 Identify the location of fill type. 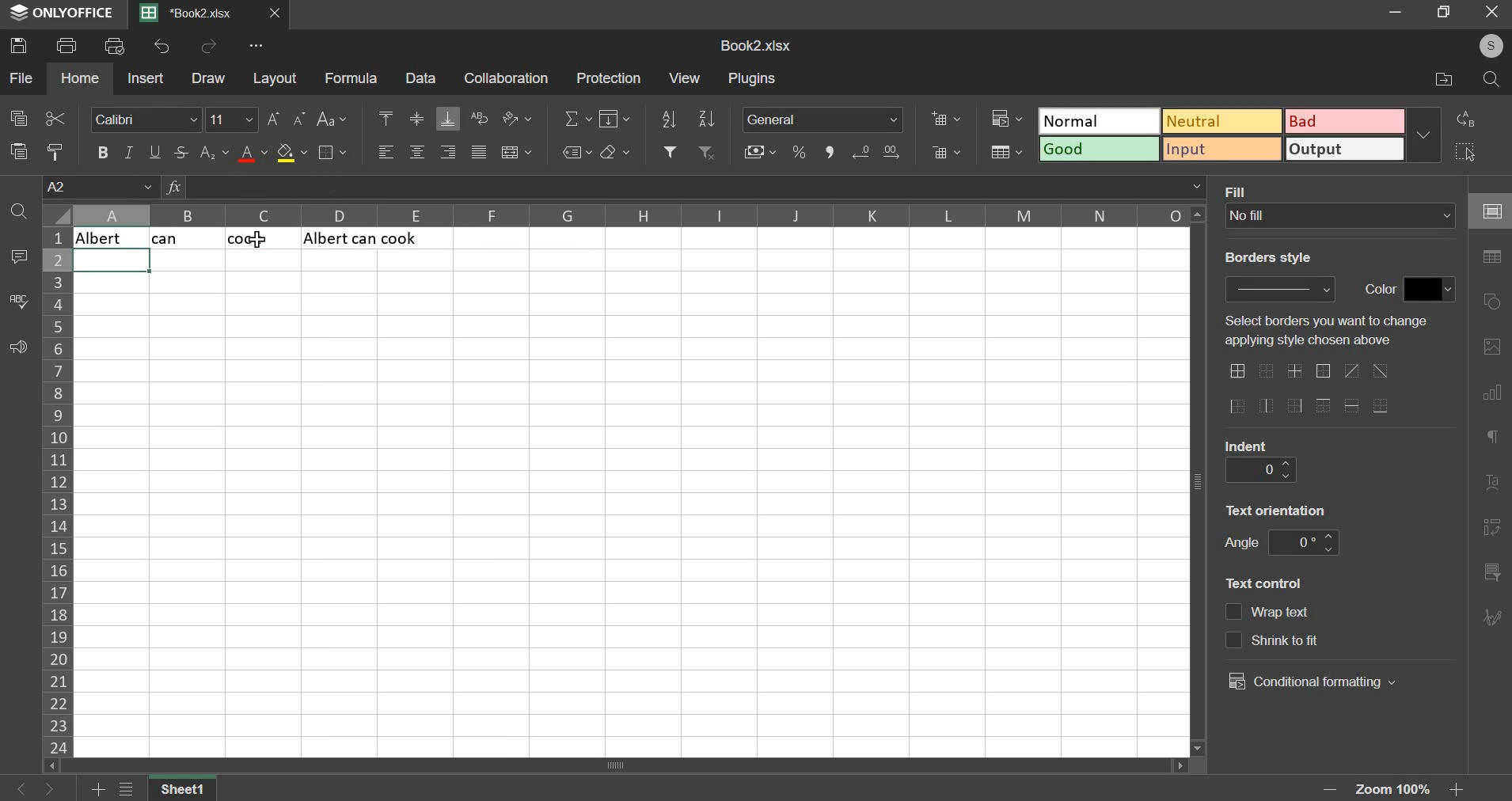
(1340, 216).